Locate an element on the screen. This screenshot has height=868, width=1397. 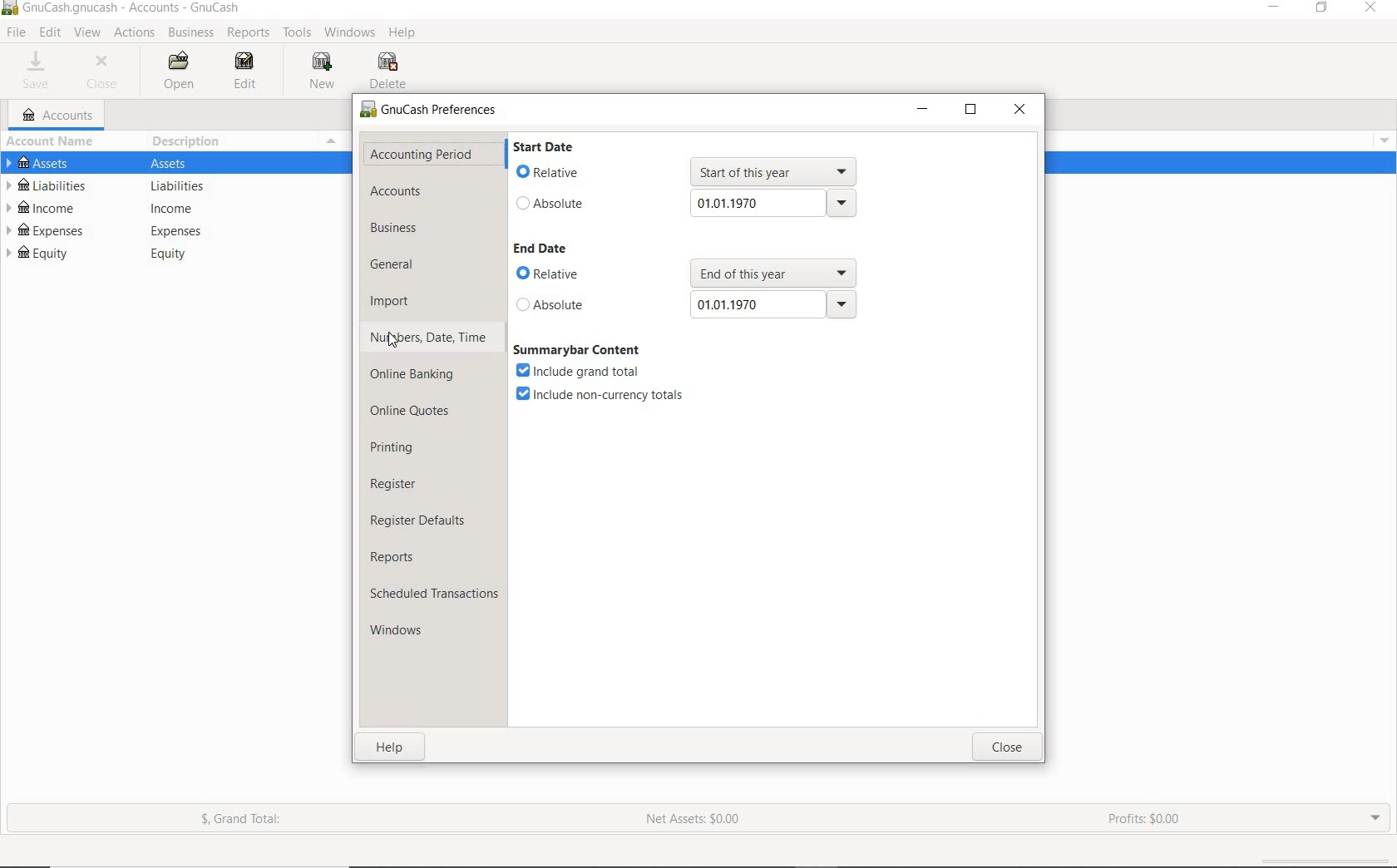
CLOSE is located at coordinates (1019, 111).